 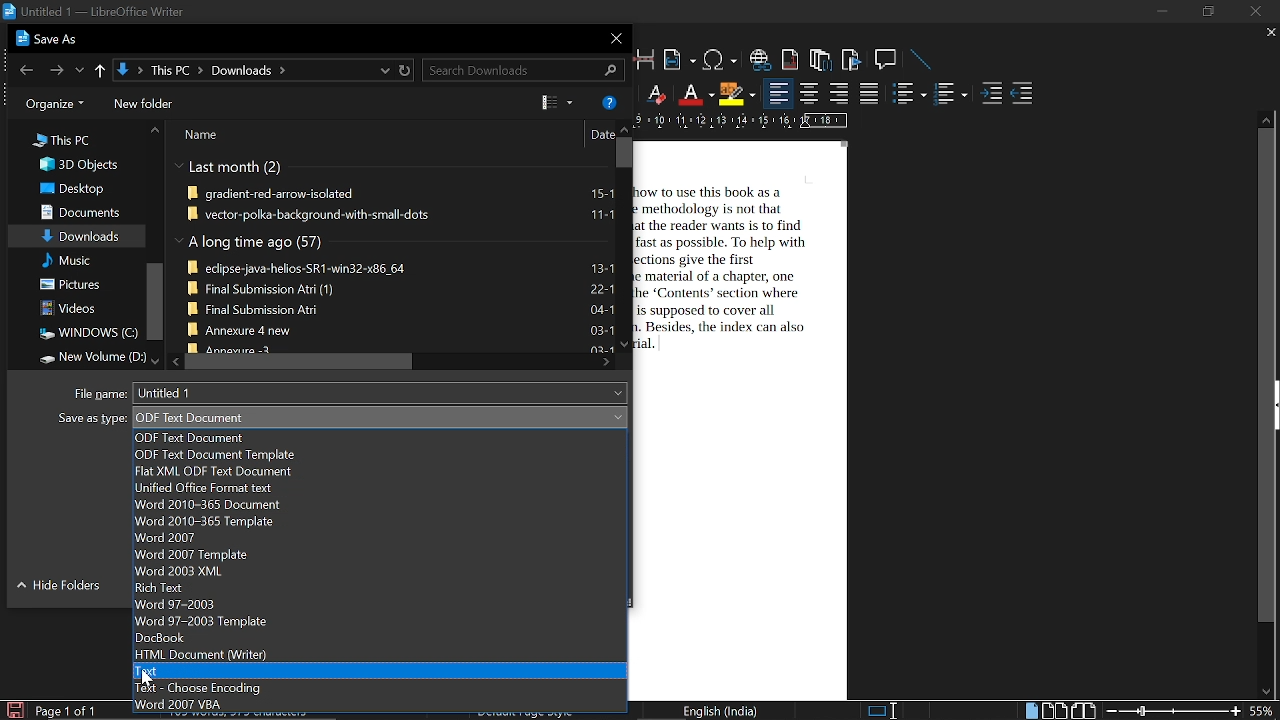 I want to click on eclipse-java-helios-SR1-win32-x86 64 131, so click(x=400, y=266).